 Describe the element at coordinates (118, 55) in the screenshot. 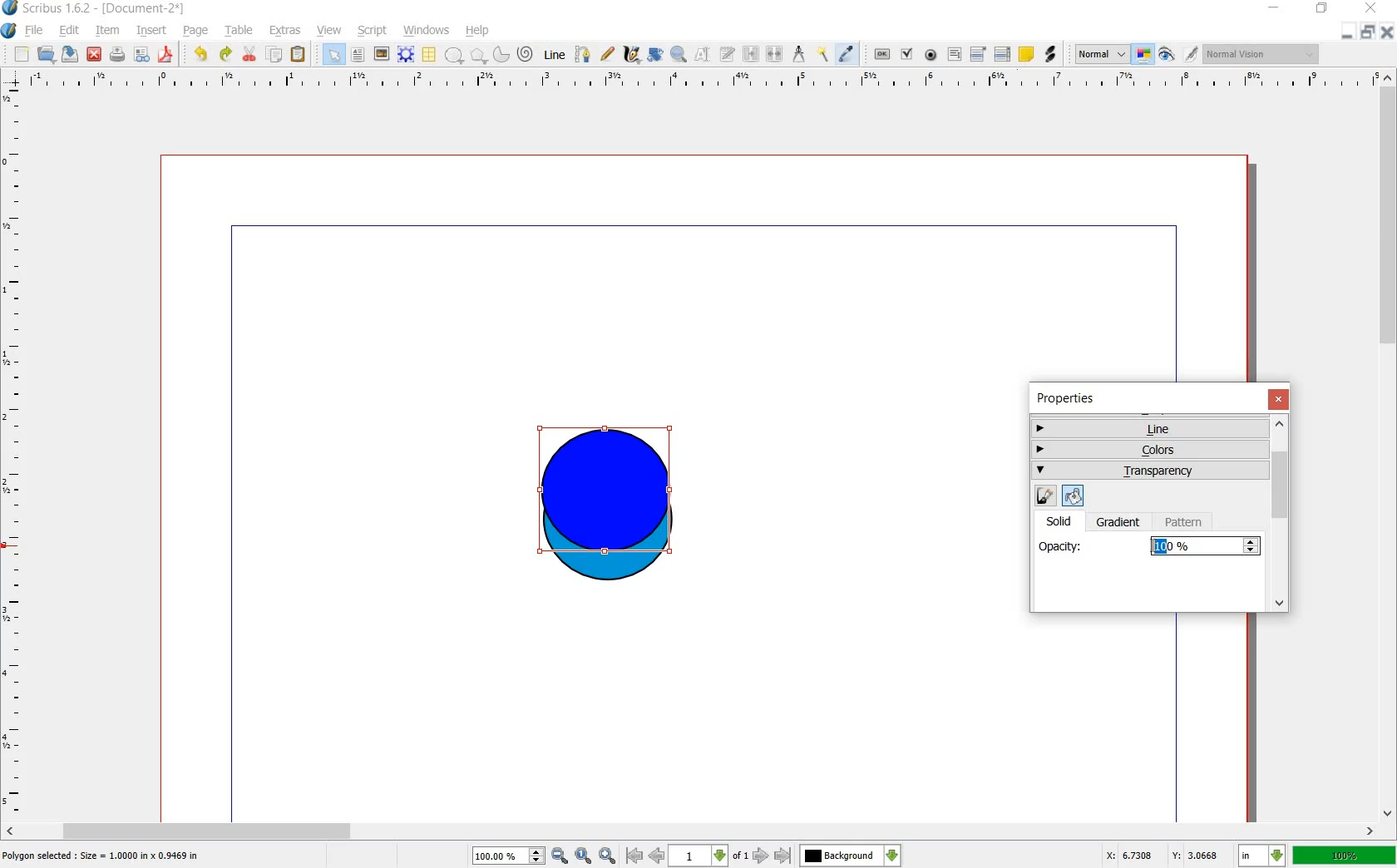

I see `print` at that location.